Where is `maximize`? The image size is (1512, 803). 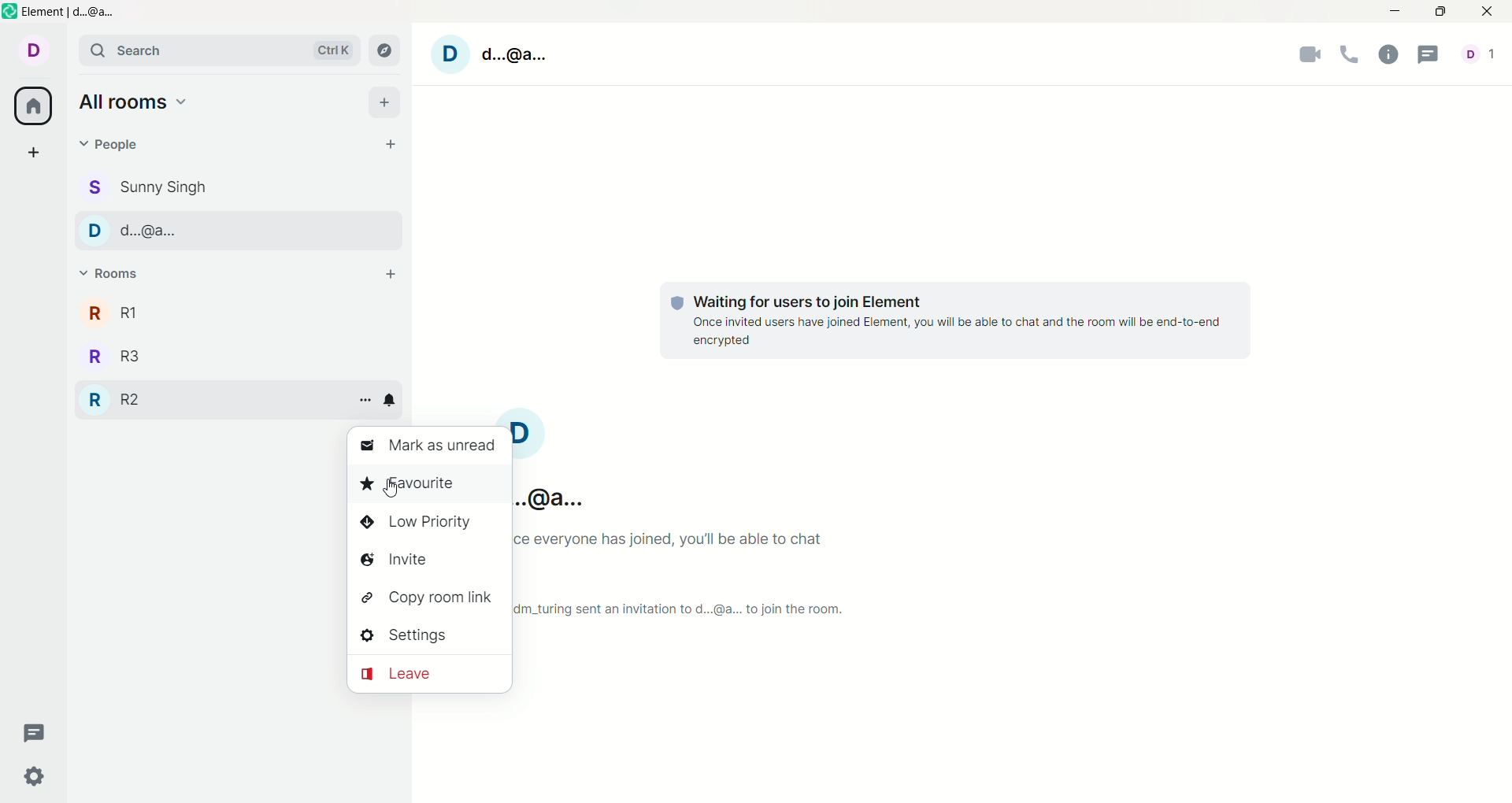
maximize is located at coordinates (1440, 11).